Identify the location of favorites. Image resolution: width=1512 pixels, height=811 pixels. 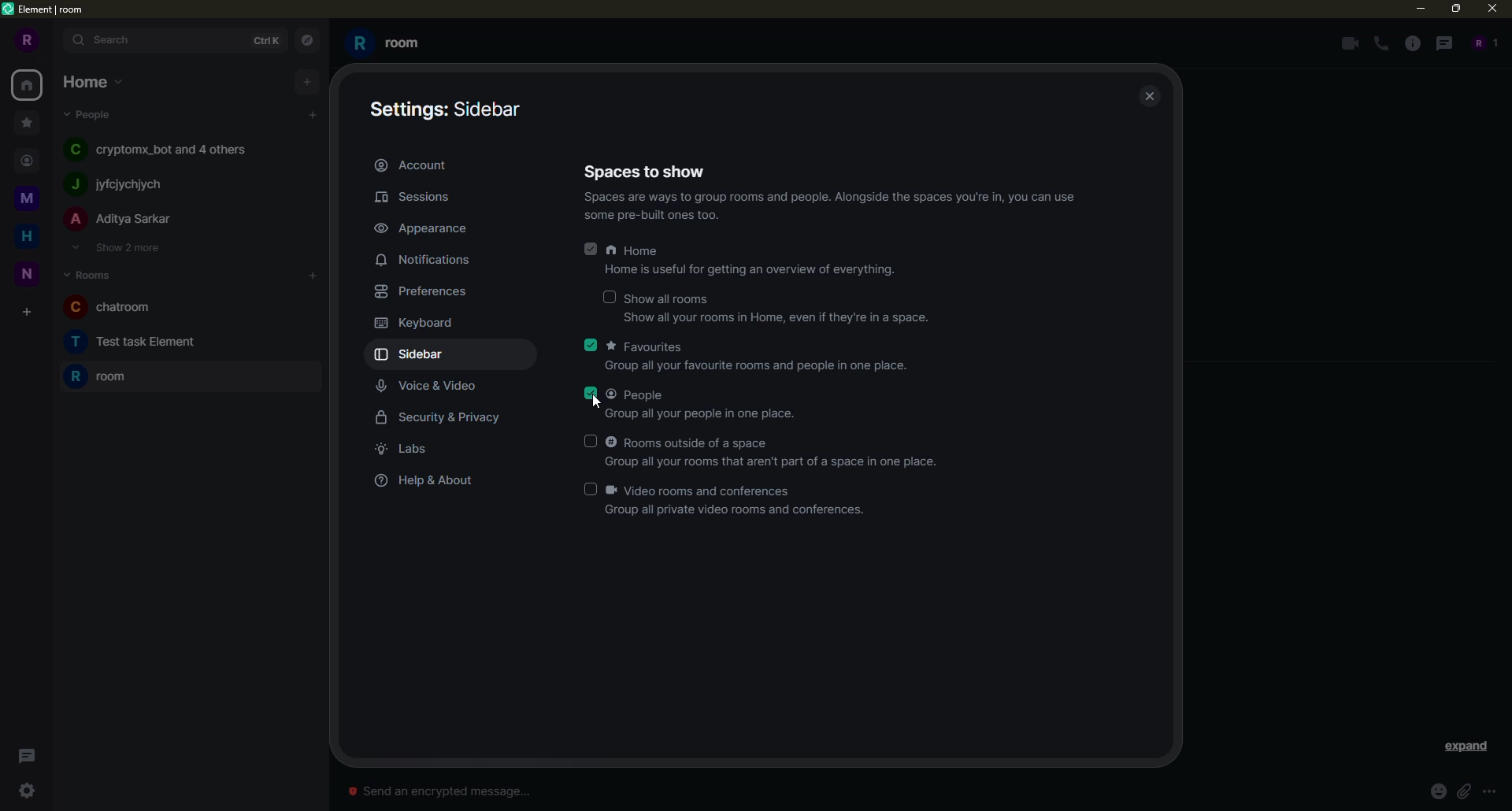
(647, 346).